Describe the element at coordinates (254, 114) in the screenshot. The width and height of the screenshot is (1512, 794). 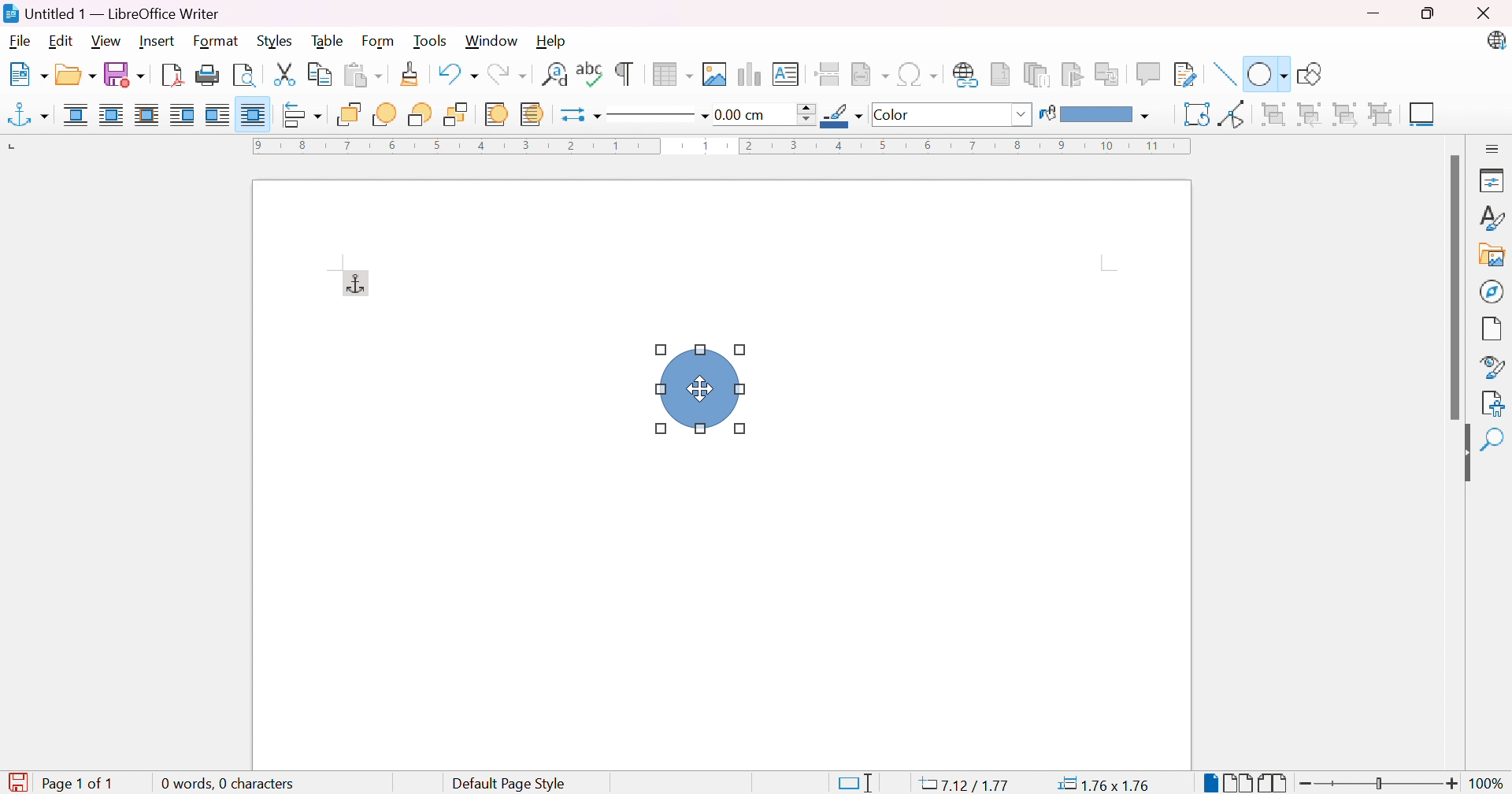
I see `Through` at that location.